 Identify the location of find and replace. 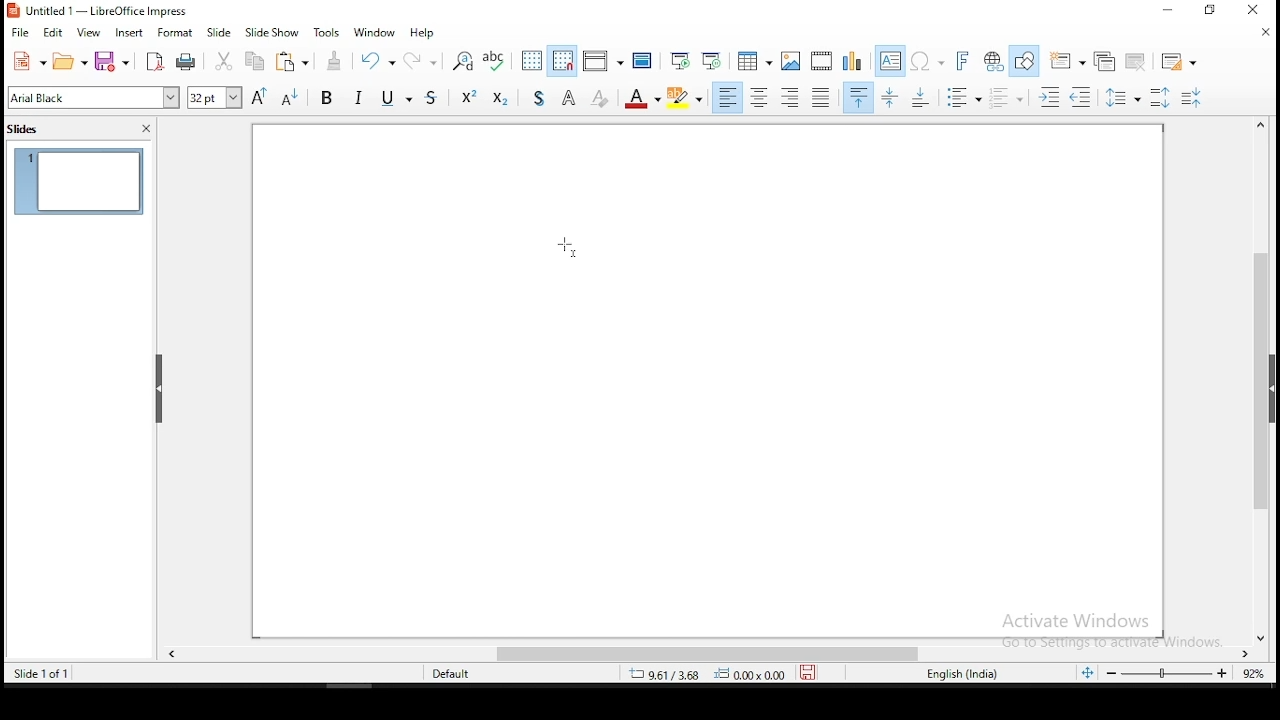
(462, 61).